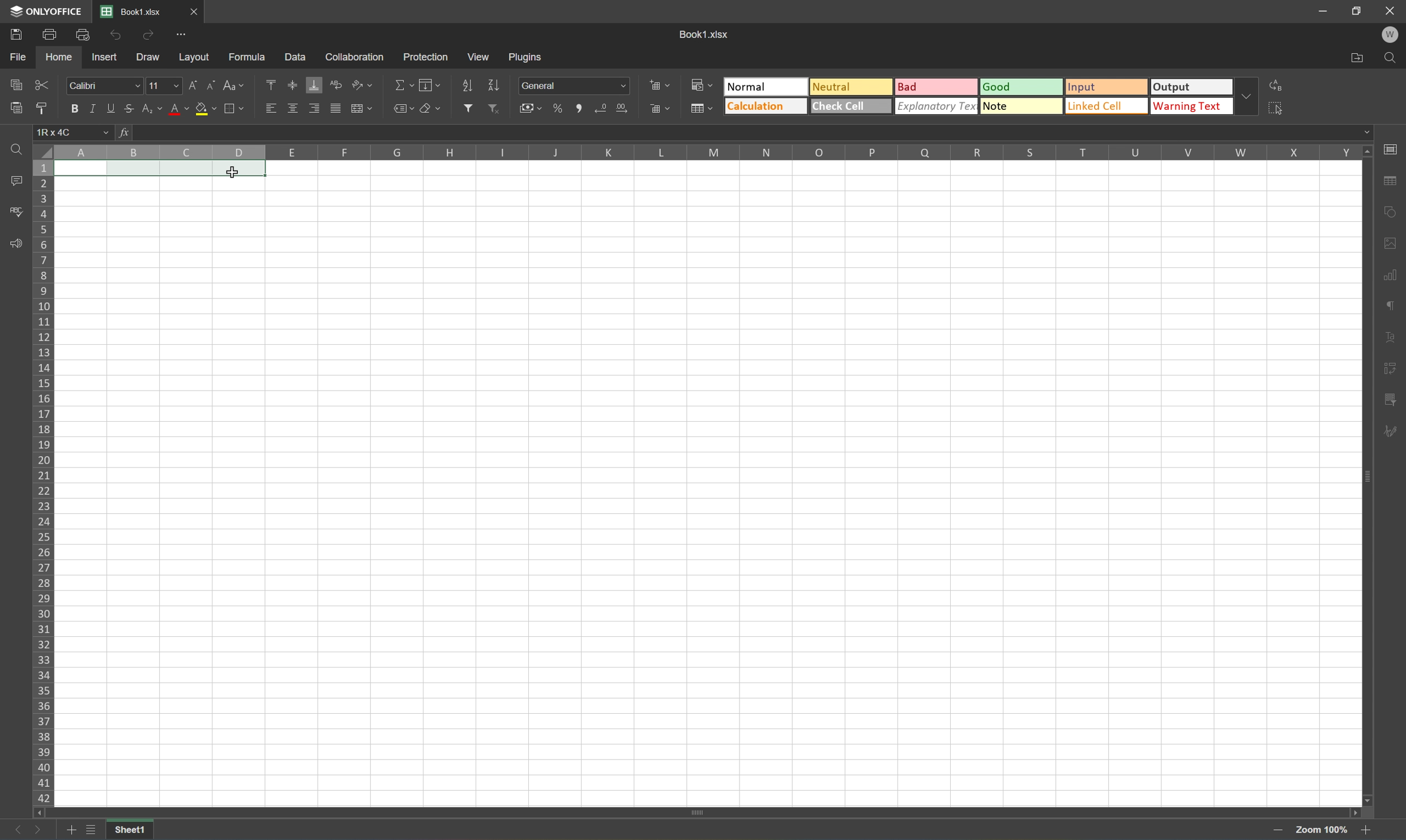 The image size is (1406, 840). I want to click on View, so click(480, 55).